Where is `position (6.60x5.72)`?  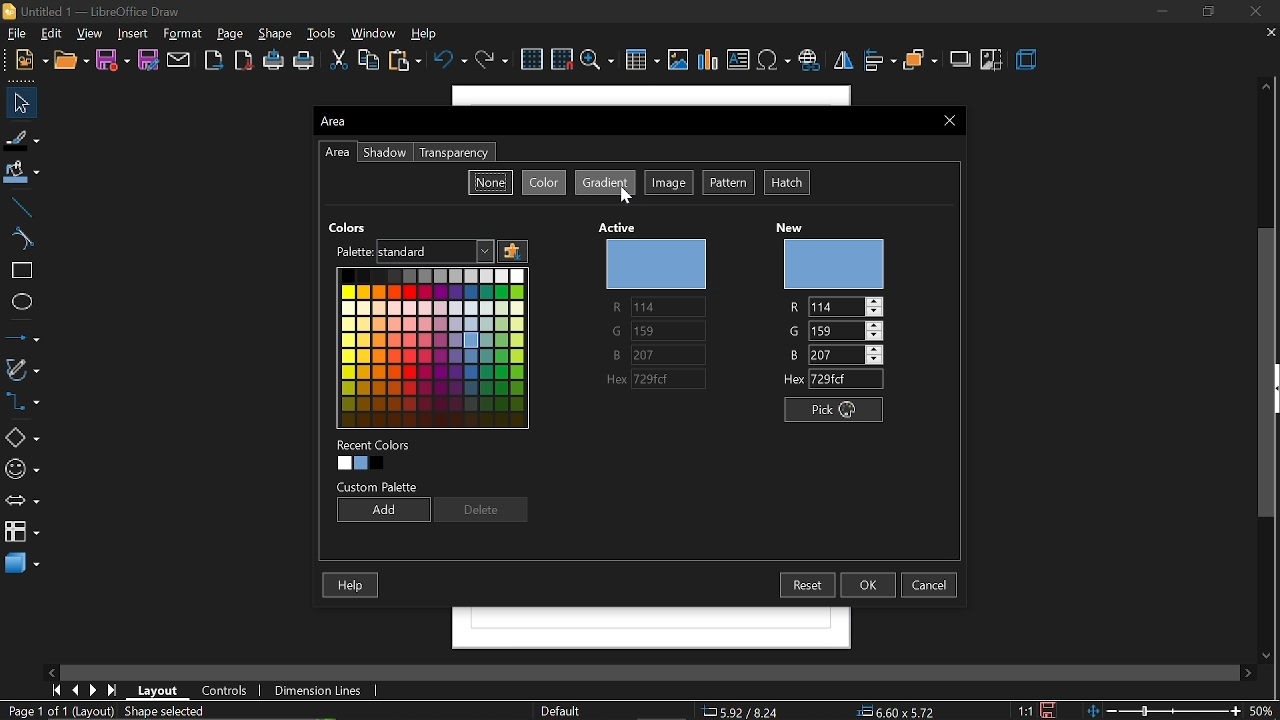
position (6.60x5.72) is located at coordinates (900, 710).